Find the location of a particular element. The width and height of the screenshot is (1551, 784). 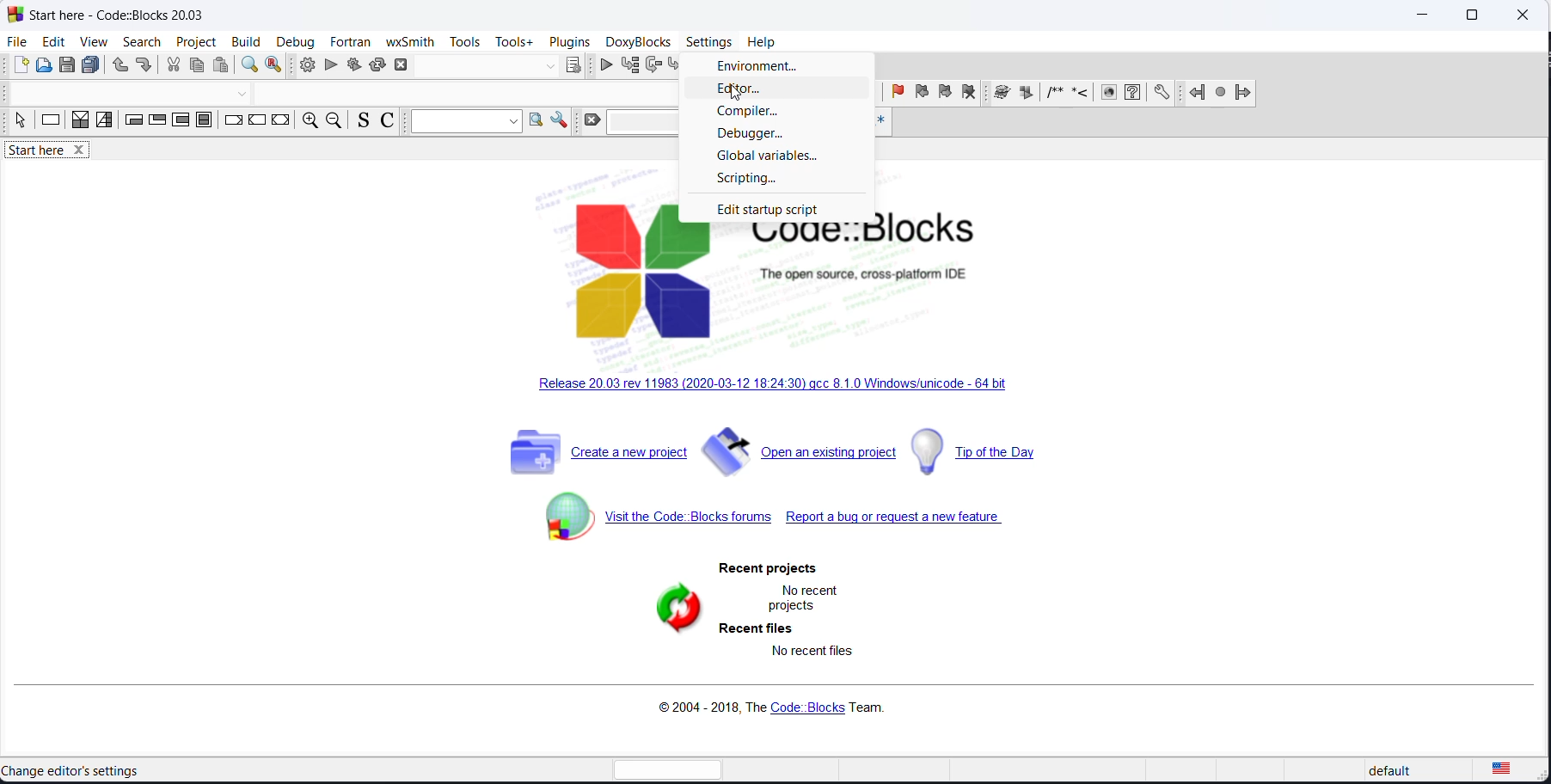

icon is located at coordinates (1106, 95).